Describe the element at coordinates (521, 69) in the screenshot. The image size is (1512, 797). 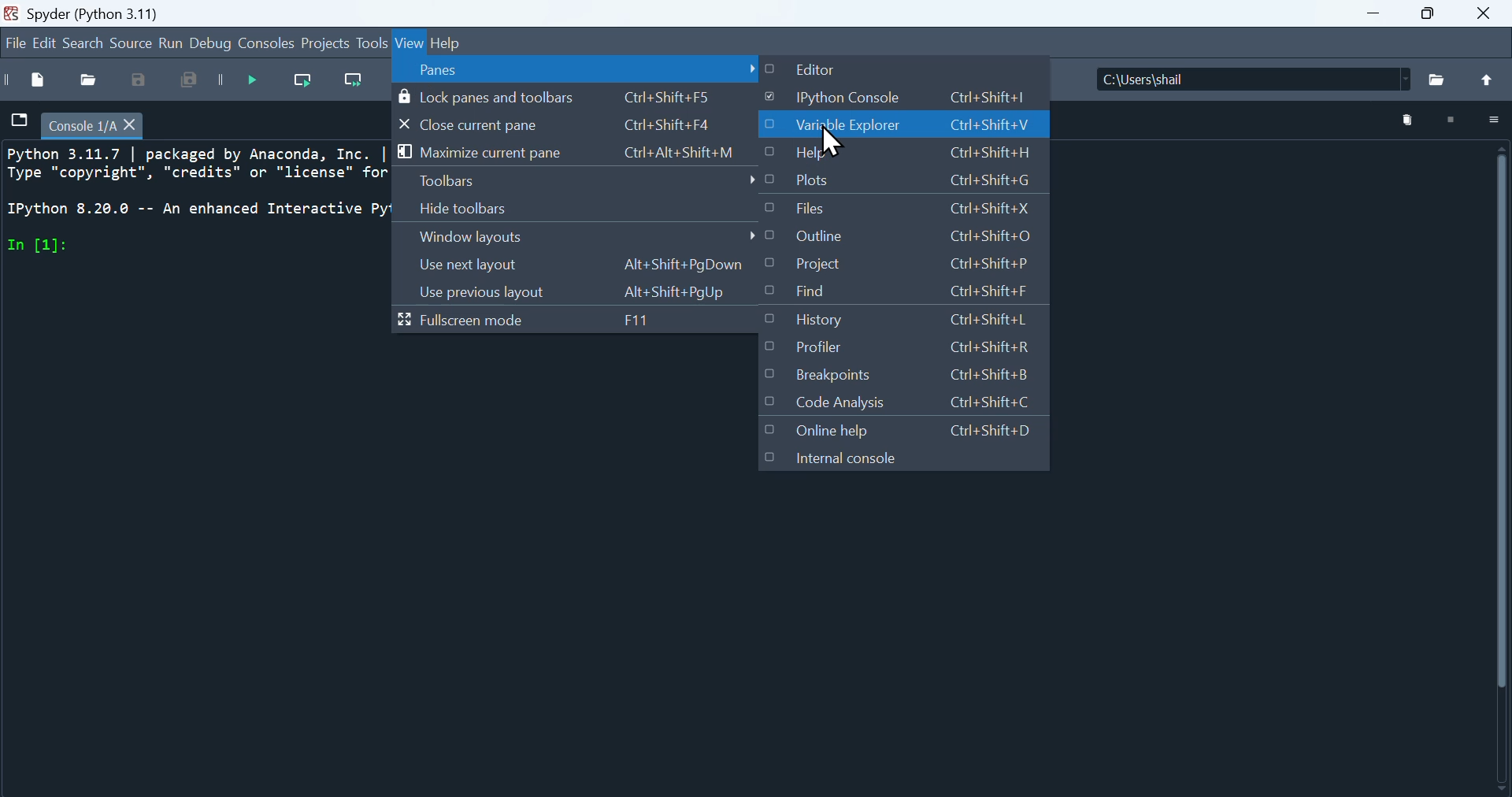
I see `Panes` at that location.